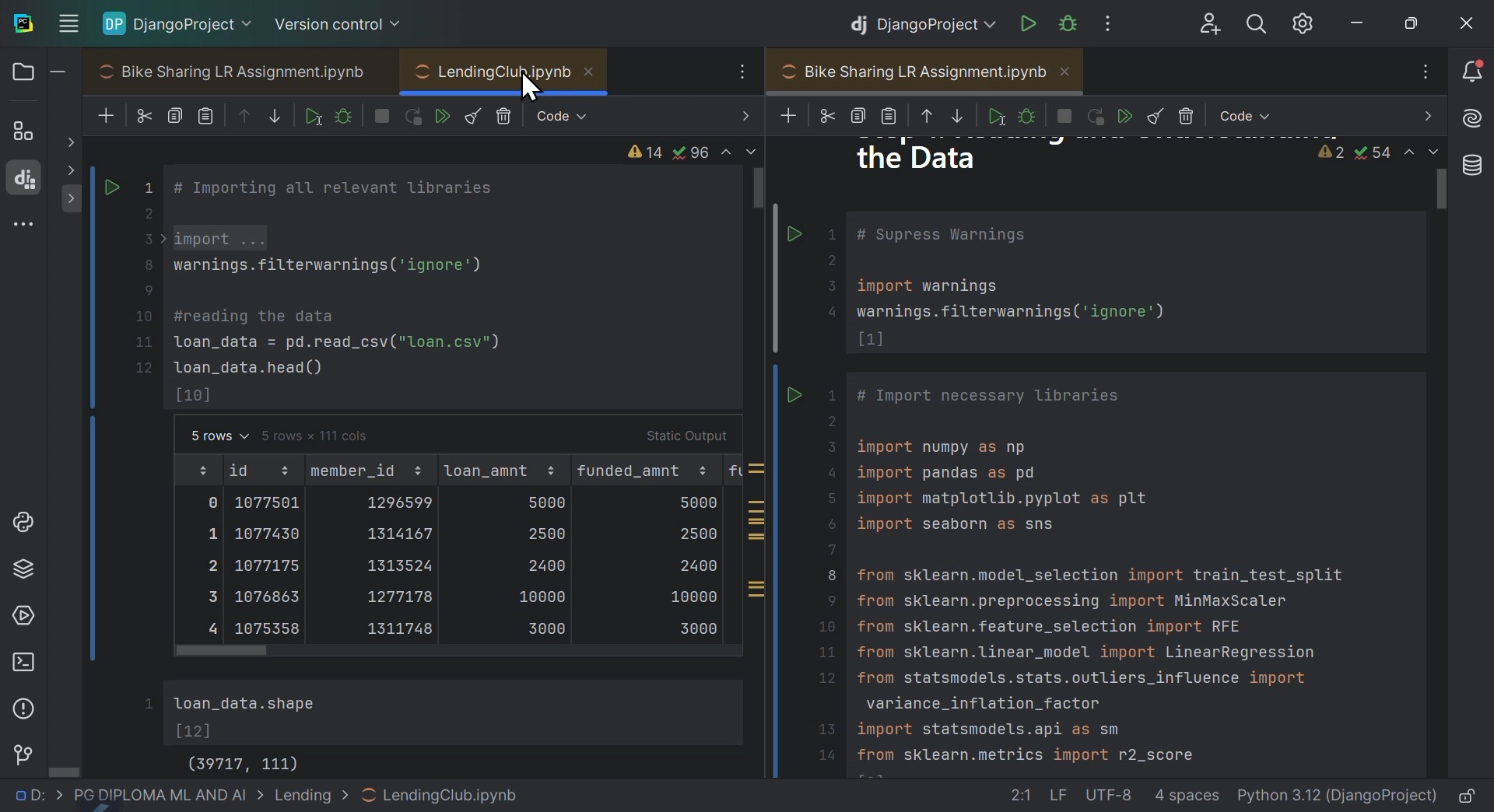 The height and width of the screenshot is (812, 1494). Describe the element at coordinates (1465, 796) in the screenshot. I see `Lock` at that location.